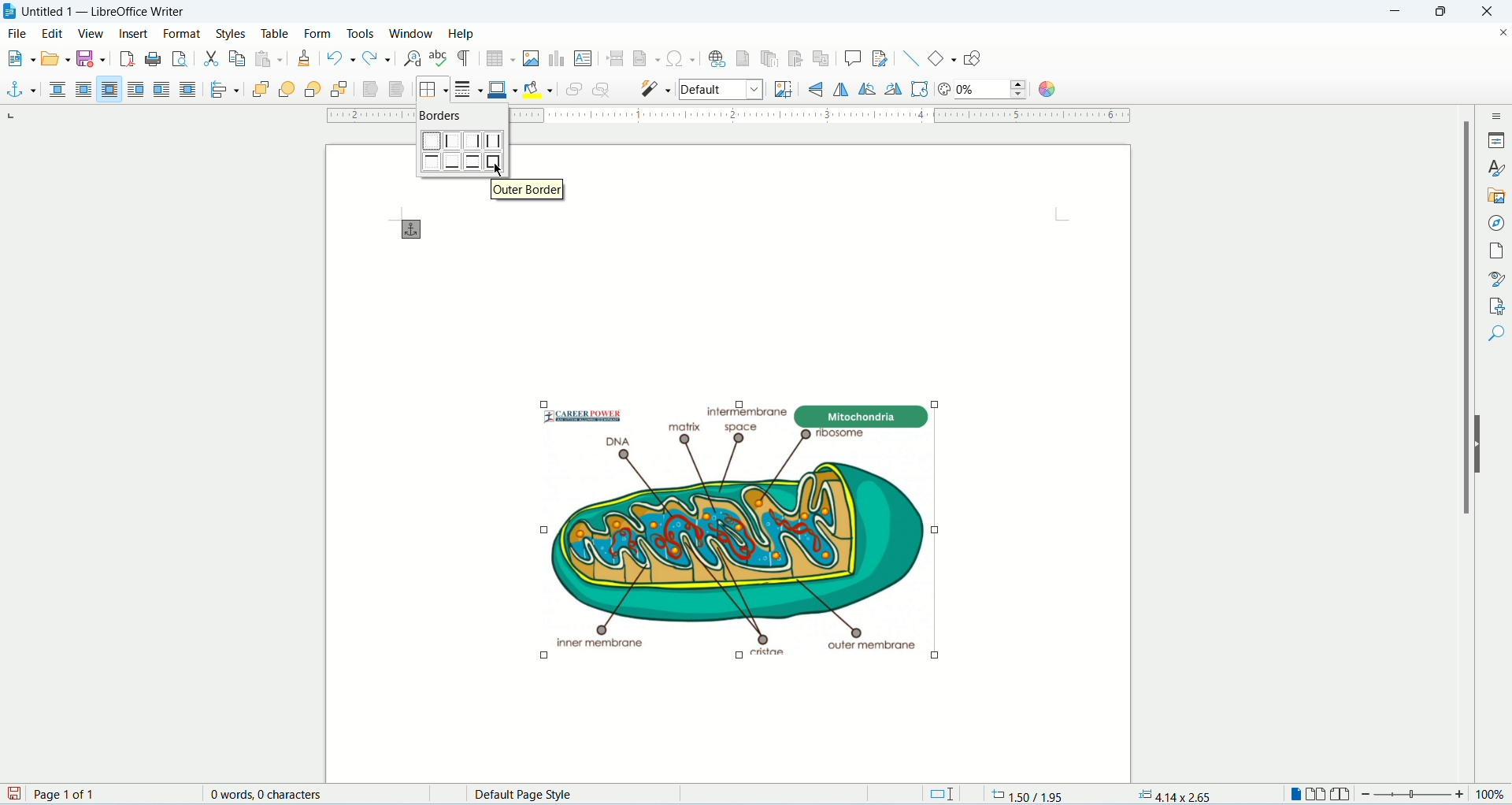  I want to click on styles, so click(234, 33).